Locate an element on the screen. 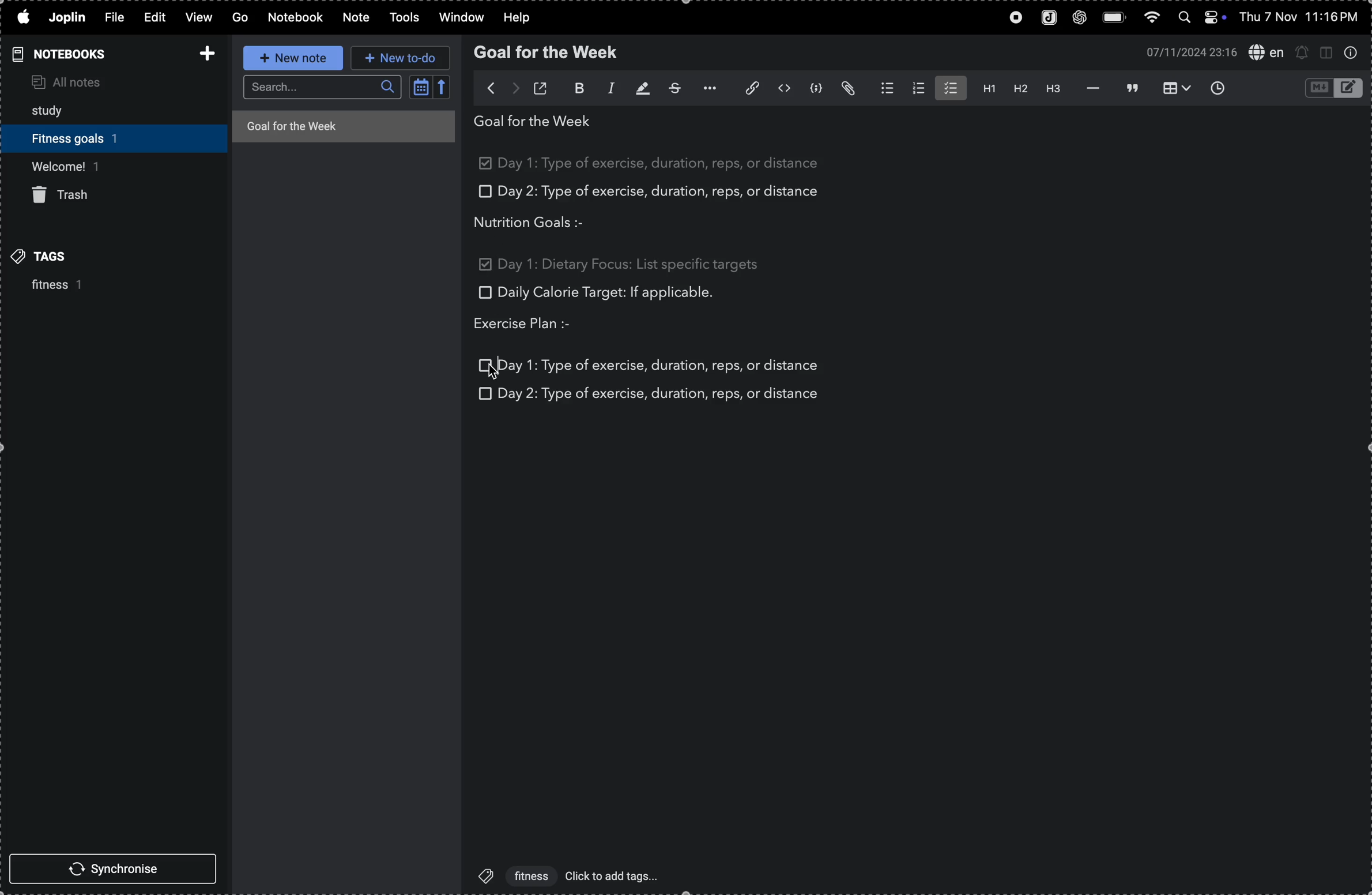  edit is located at coordinates (156, 17).